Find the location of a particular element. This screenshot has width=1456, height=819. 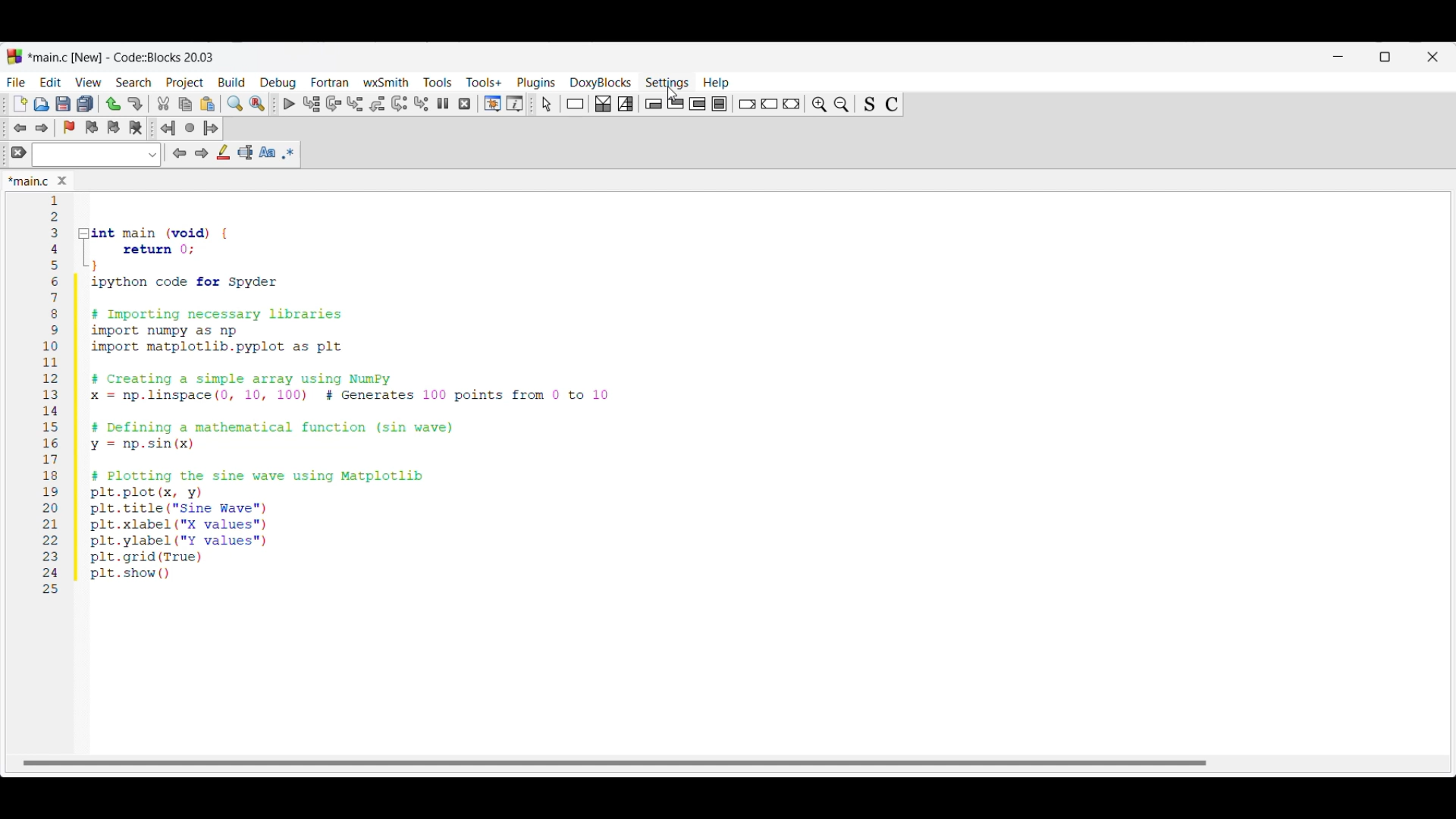

Undo is located at coordinates (113, 104).